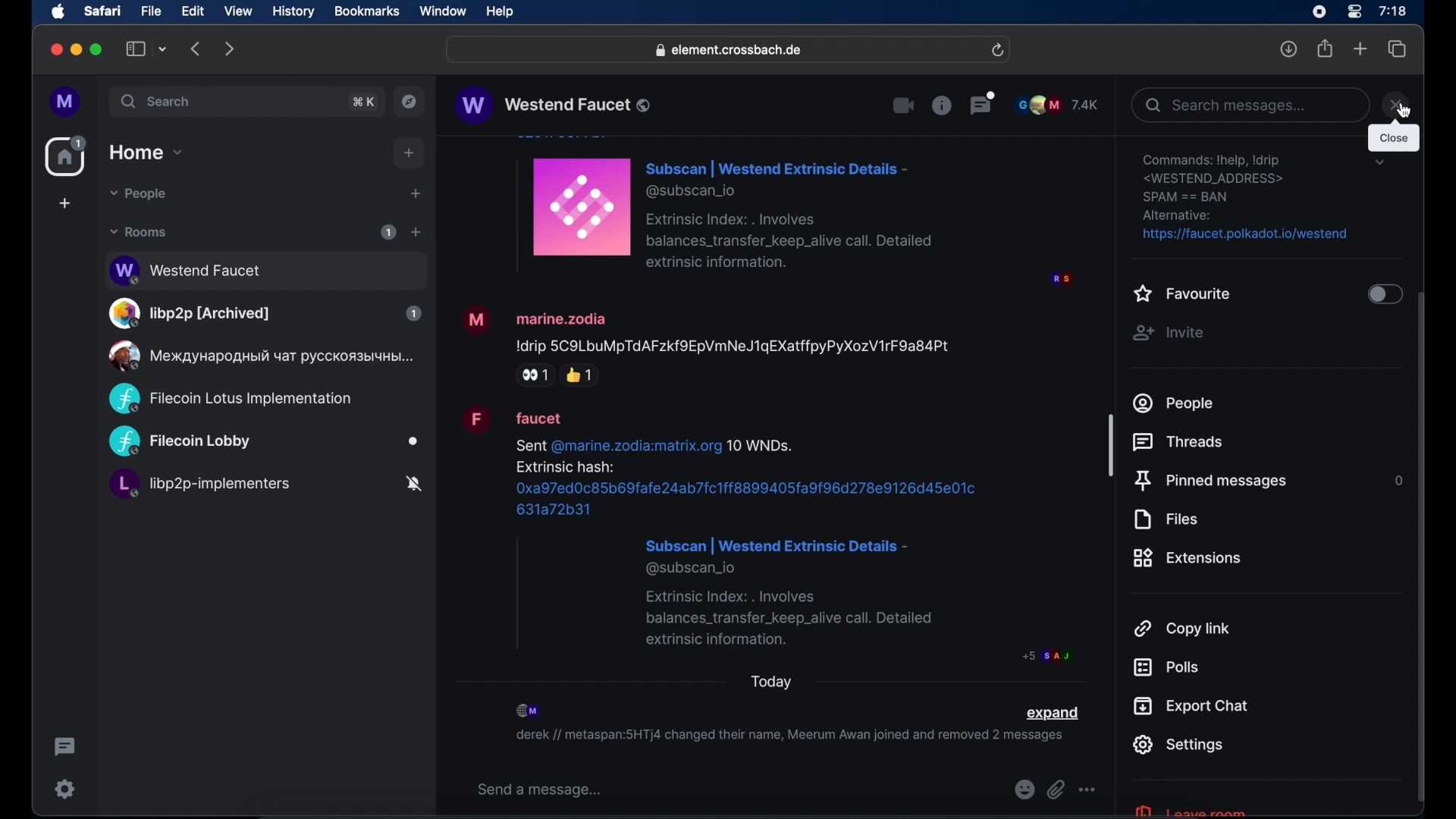  Describe the element at coordinates (552, 105) in the screenshot. I see `room name` at that location.